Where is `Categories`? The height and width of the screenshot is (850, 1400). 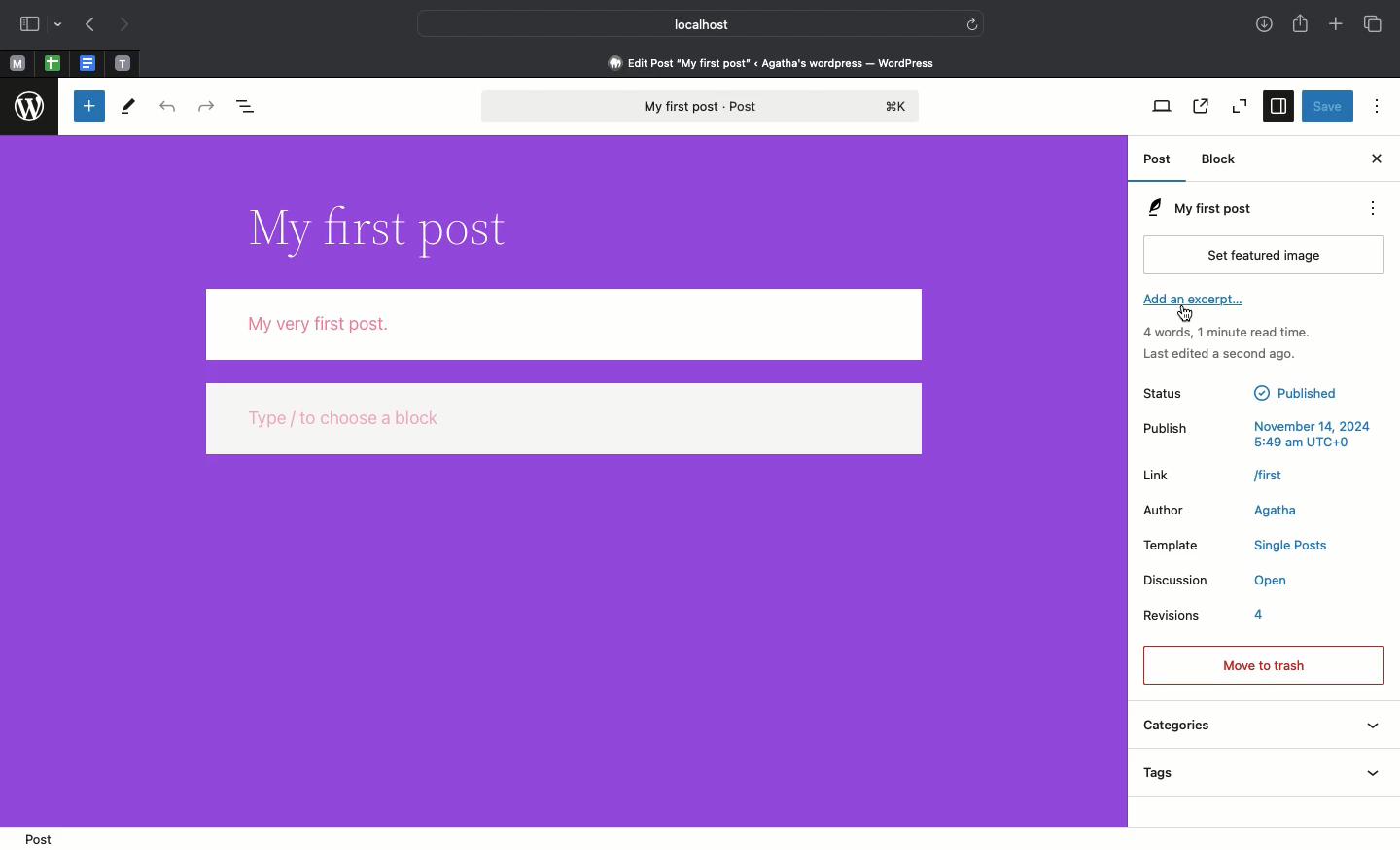
Categories is located at coordinates (1259, 728).